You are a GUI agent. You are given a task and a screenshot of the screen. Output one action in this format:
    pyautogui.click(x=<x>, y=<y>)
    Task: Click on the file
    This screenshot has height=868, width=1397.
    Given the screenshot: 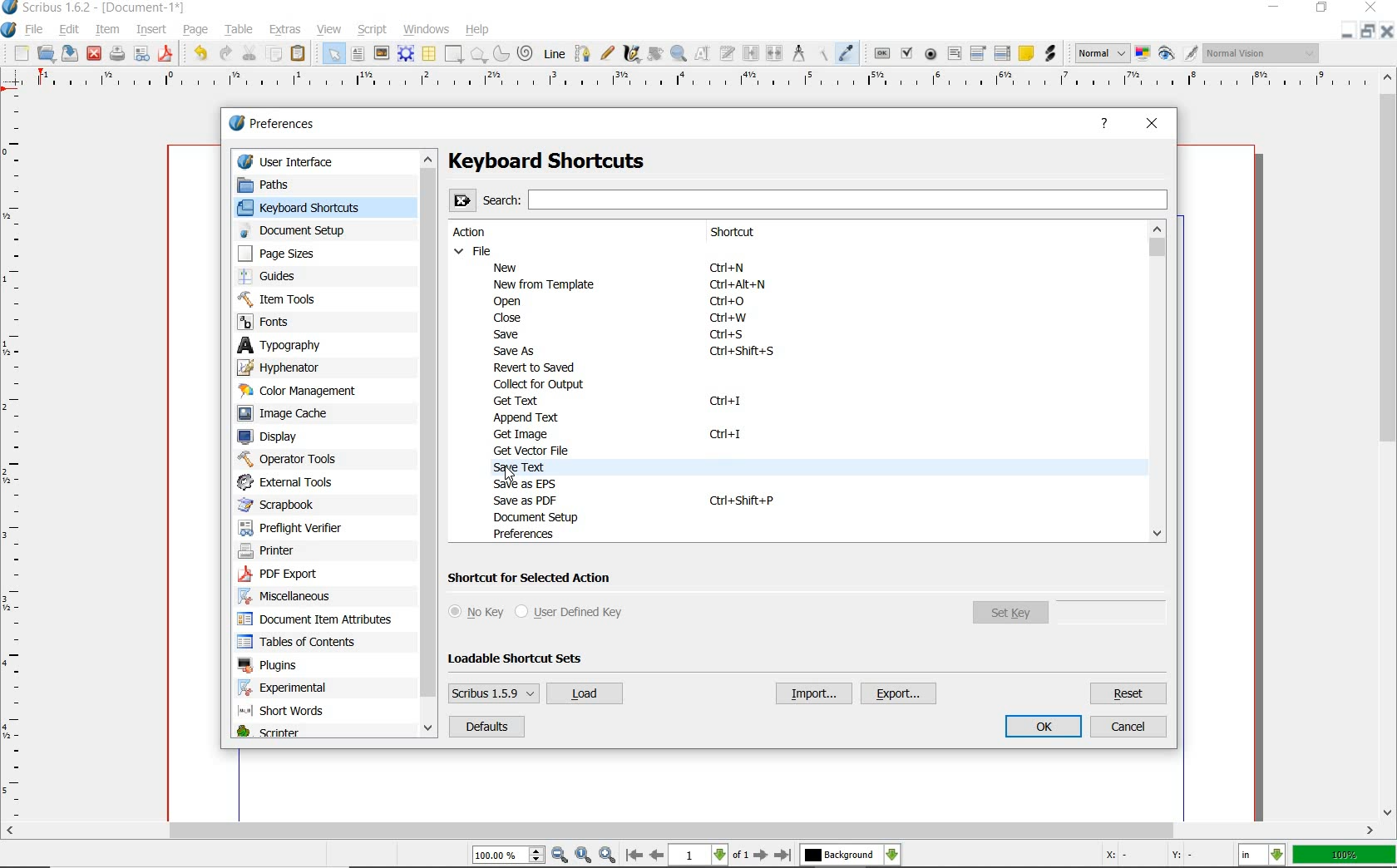 What is the action you would take?
    pyautogui.click(x=38, y=31)
    